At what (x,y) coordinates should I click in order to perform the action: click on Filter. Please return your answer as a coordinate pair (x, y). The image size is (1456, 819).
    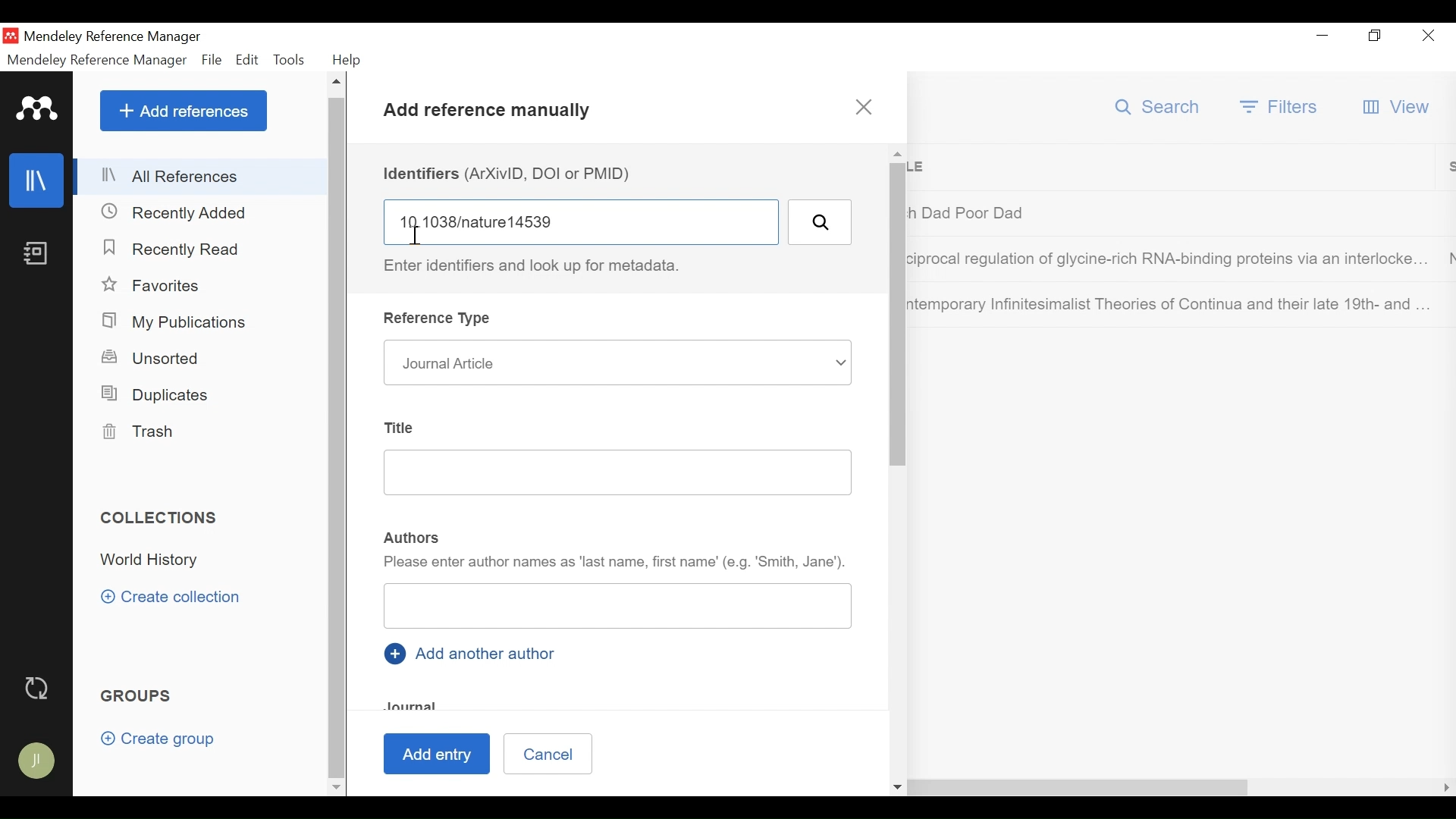
    Looking at the image, I should click on (1281, 106).